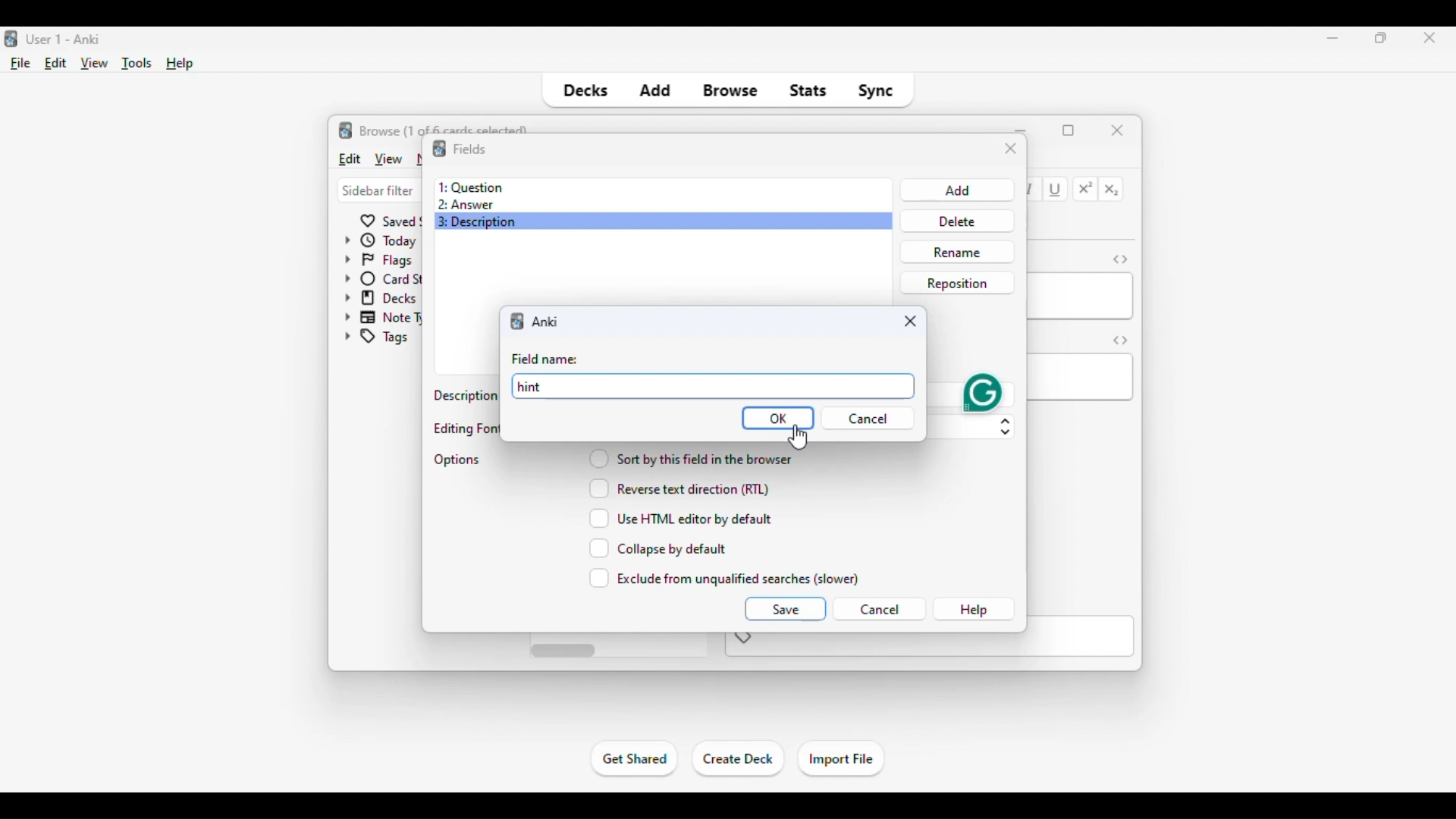 The height and width of the screenshot is (819, 1456). Describe the element at coordinates (546, 322) in the screenshot. I see `anki` at that location.